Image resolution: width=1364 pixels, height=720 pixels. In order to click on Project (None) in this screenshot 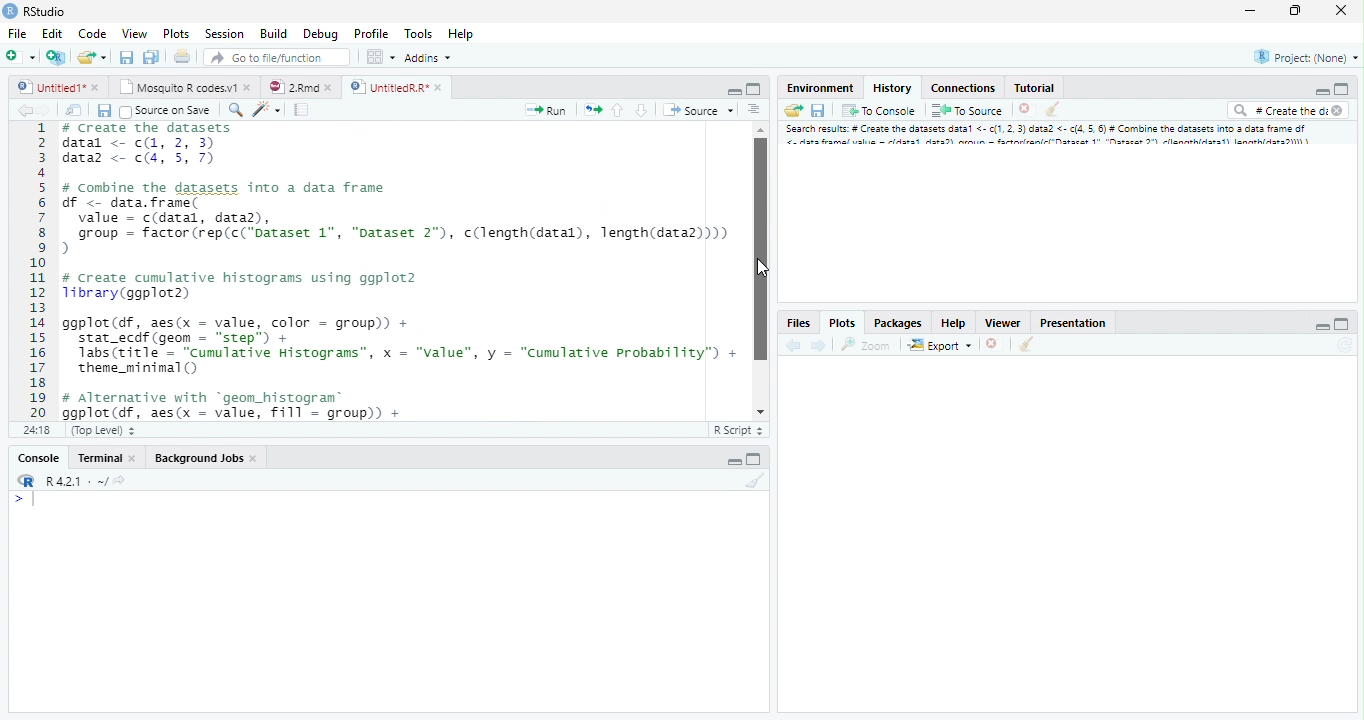, I will do `click(1308, 57)`.